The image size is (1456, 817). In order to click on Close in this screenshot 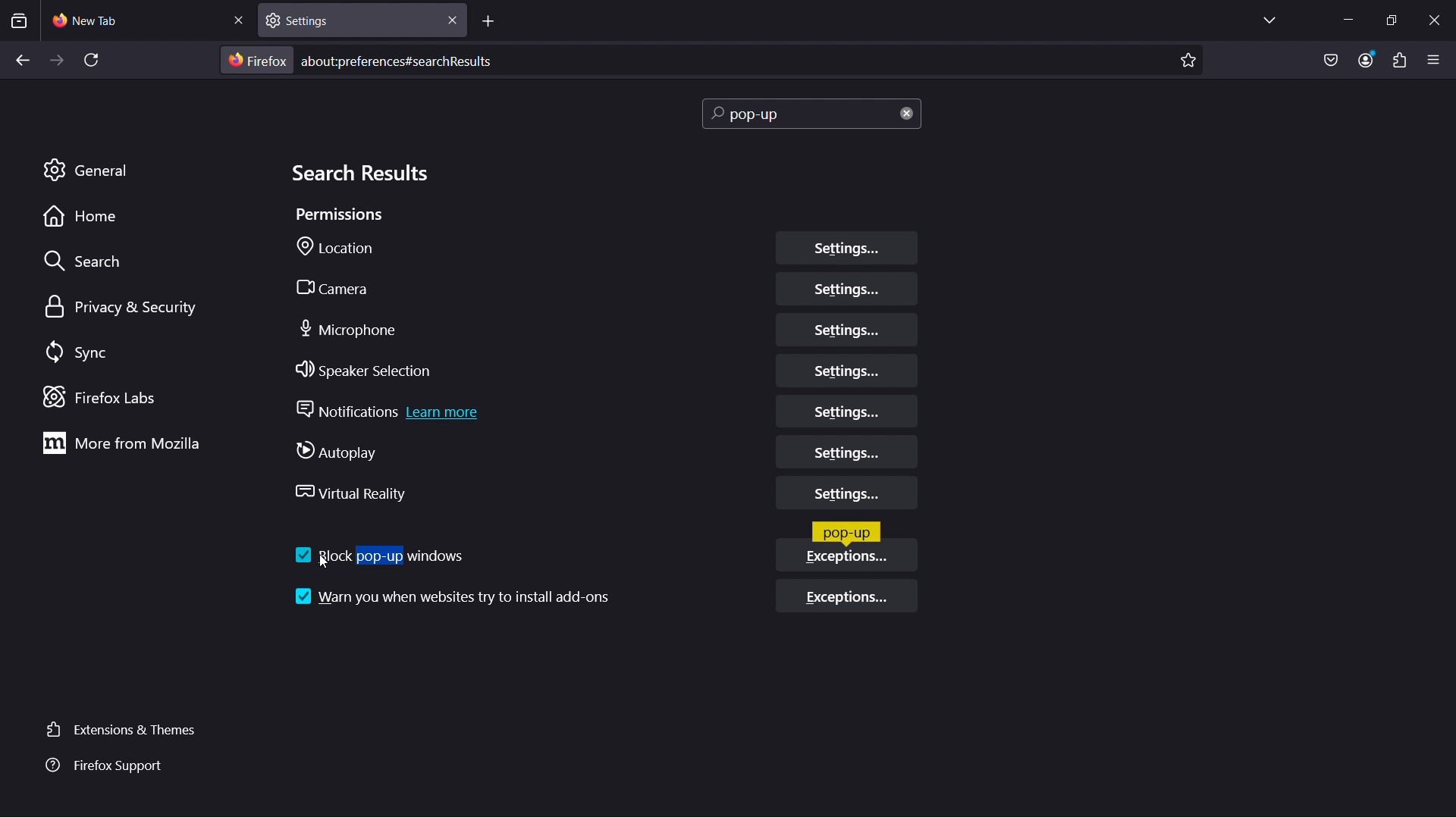, I will do `click(1436, 17)`.